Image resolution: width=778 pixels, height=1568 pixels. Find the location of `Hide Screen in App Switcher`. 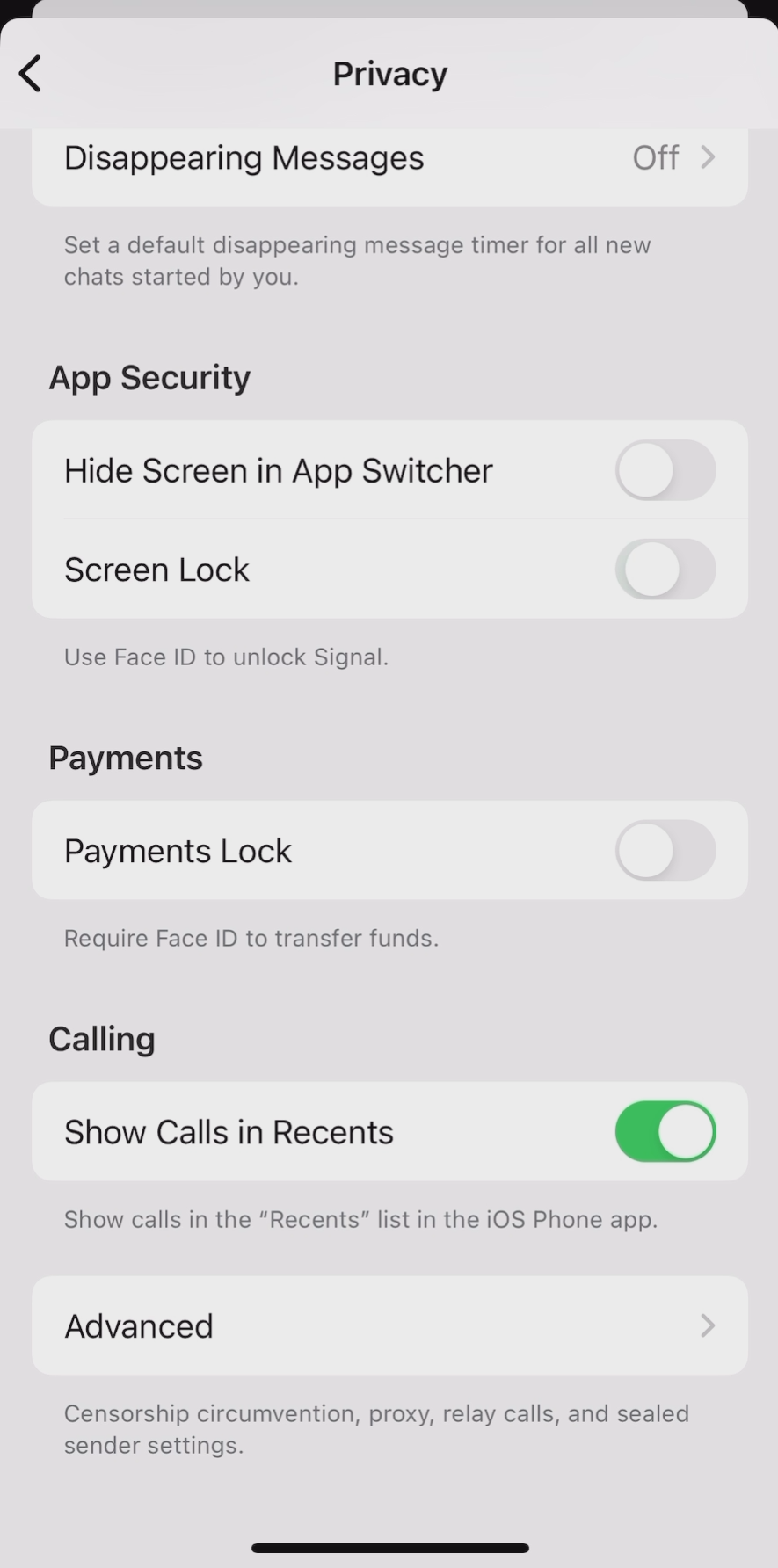

Hide Screen in App Switcher is located at coordinates (396, 470).